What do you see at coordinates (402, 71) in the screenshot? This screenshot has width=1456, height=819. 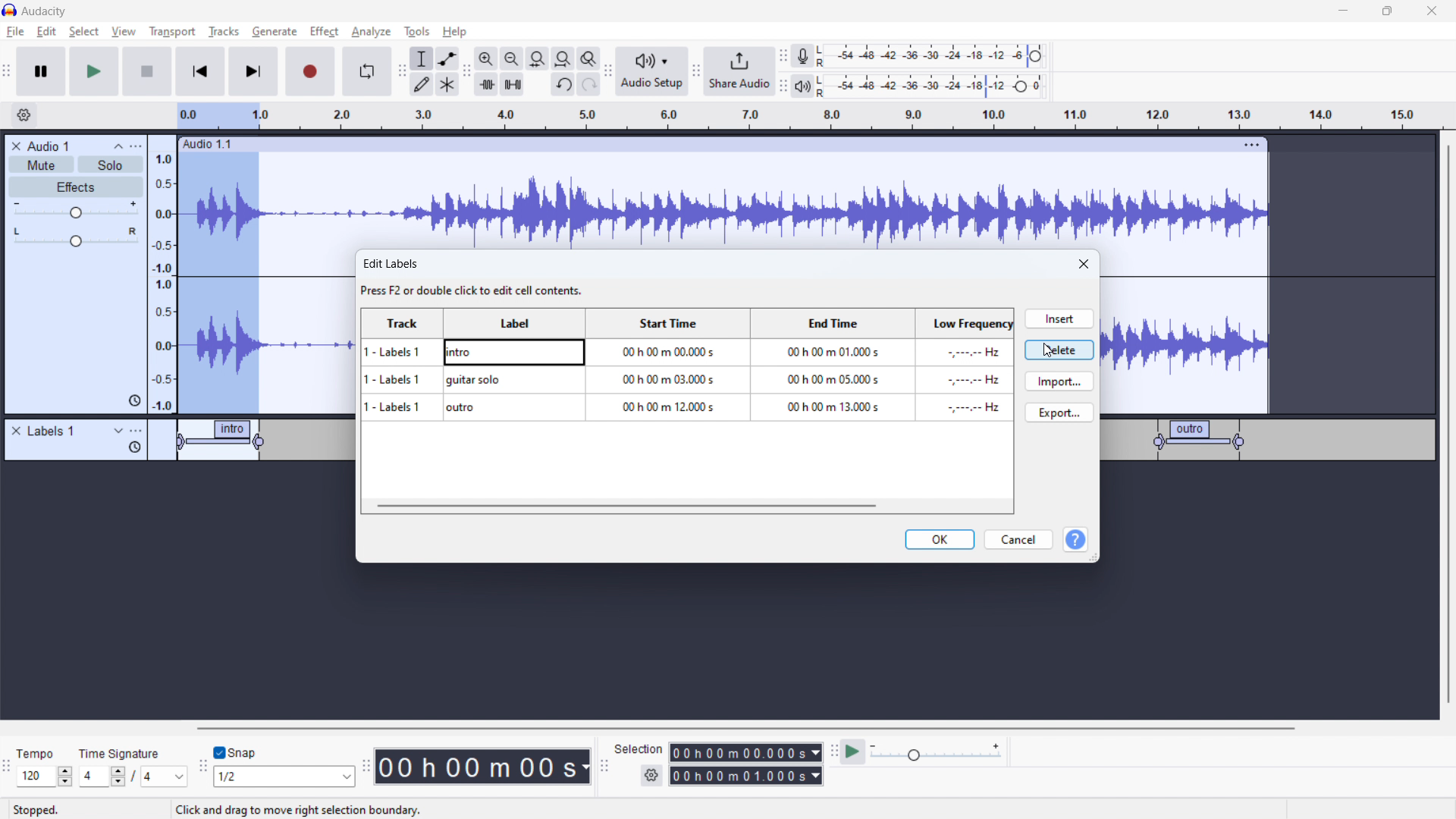 I see `tools toolbar` at bounding box center [402, 71].